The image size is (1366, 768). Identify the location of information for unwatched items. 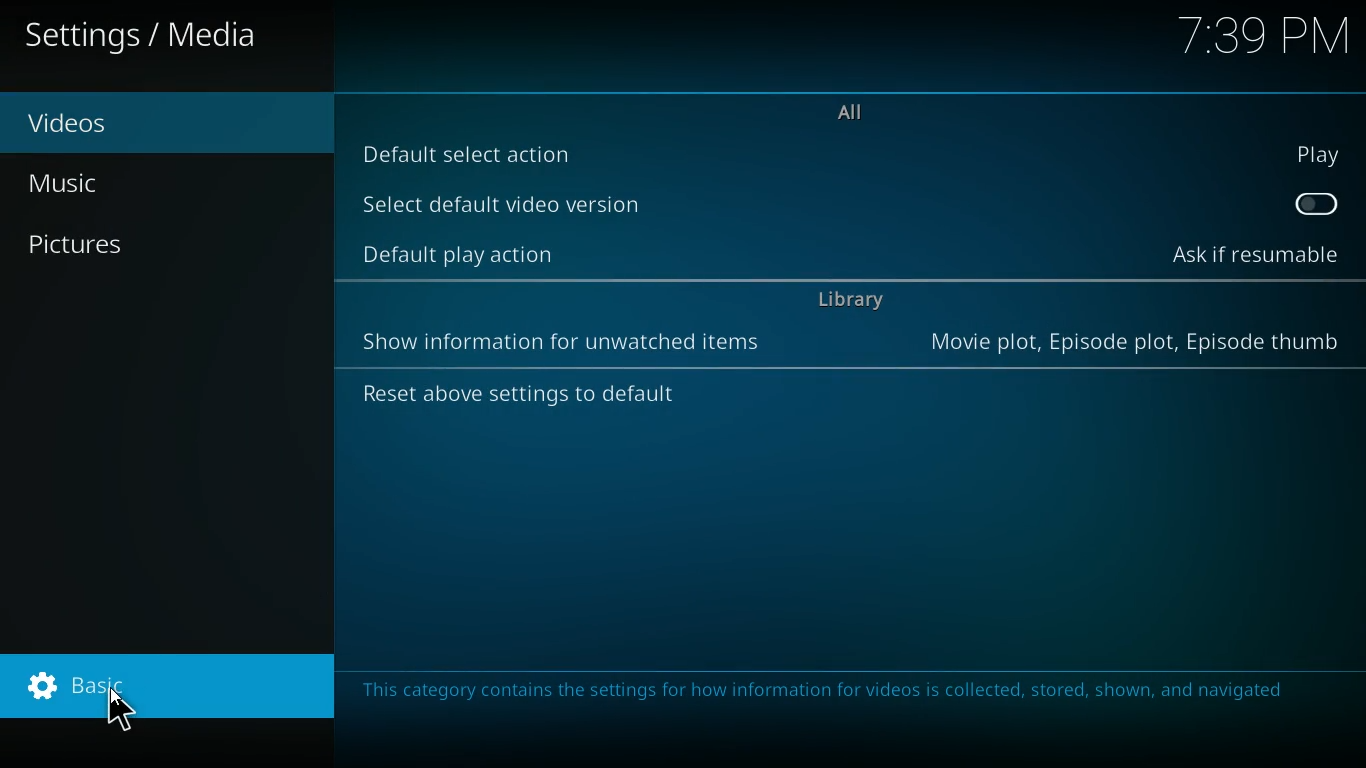
(571, 341).